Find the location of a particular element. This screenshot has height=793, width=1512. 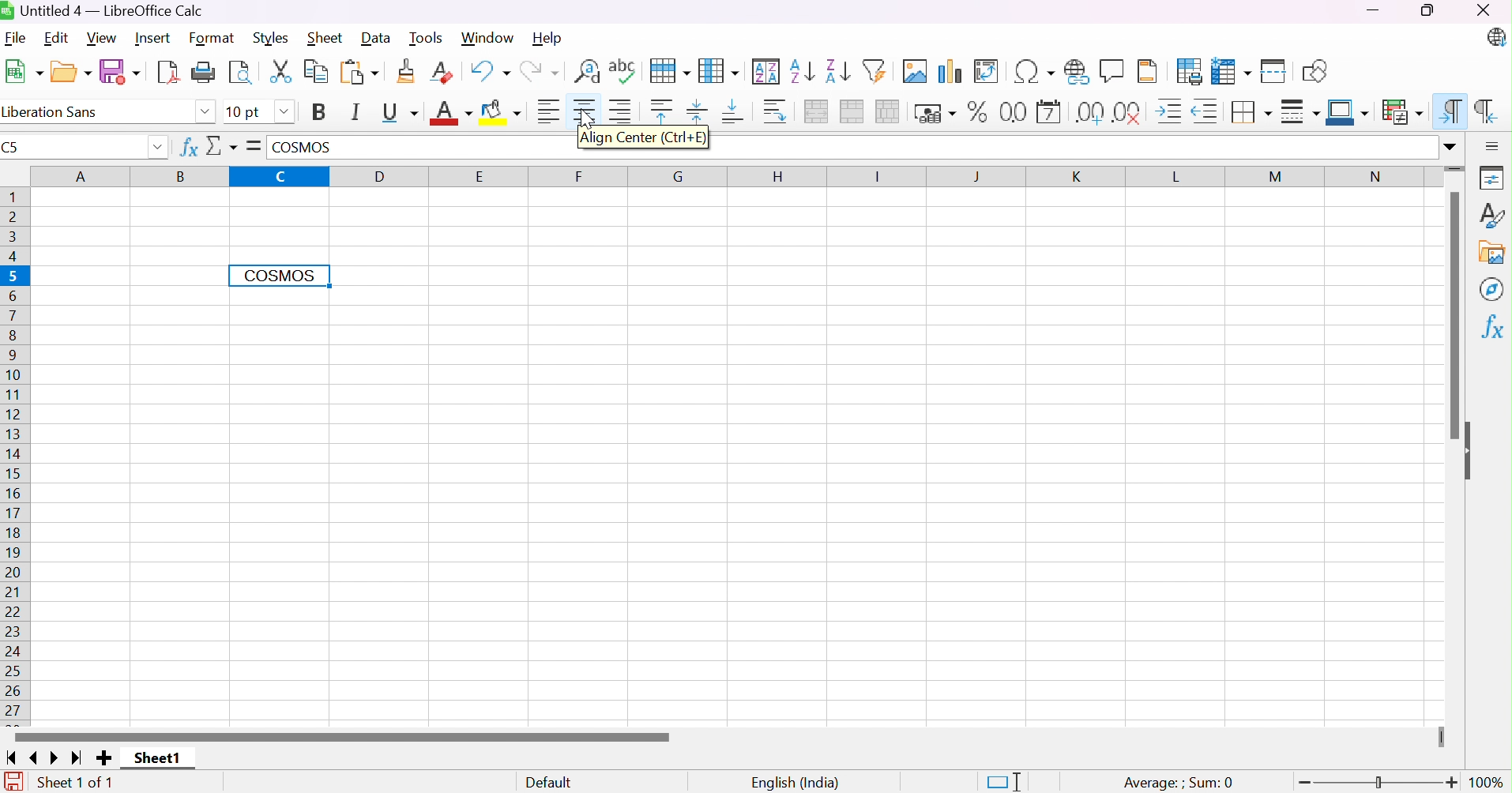

Align Bottom is located at coordinates (733, 112).